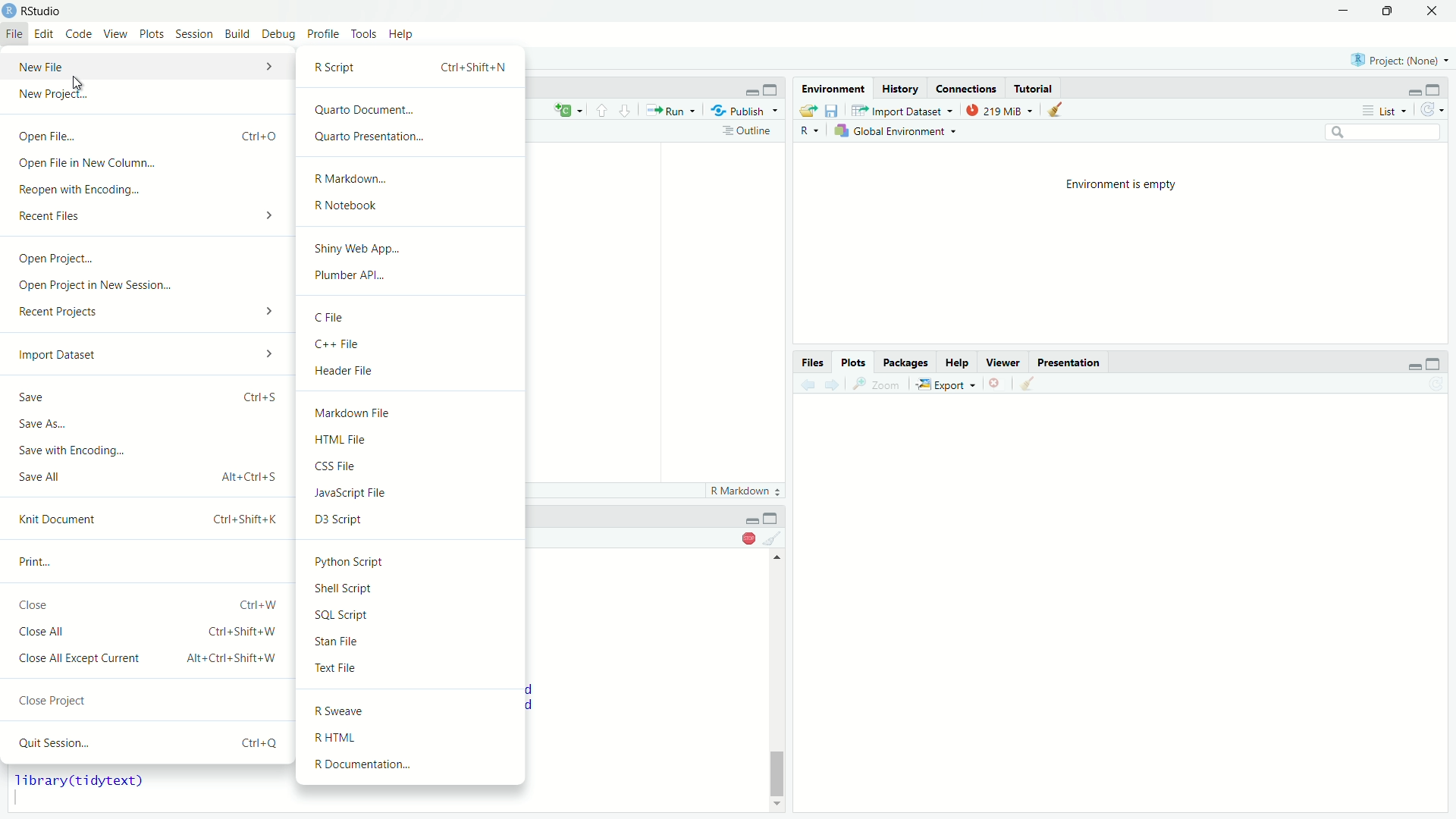  What do you see at coordinates (835, 385) in the screenshot?
I see `next plot` at bounding box center [835, 385].